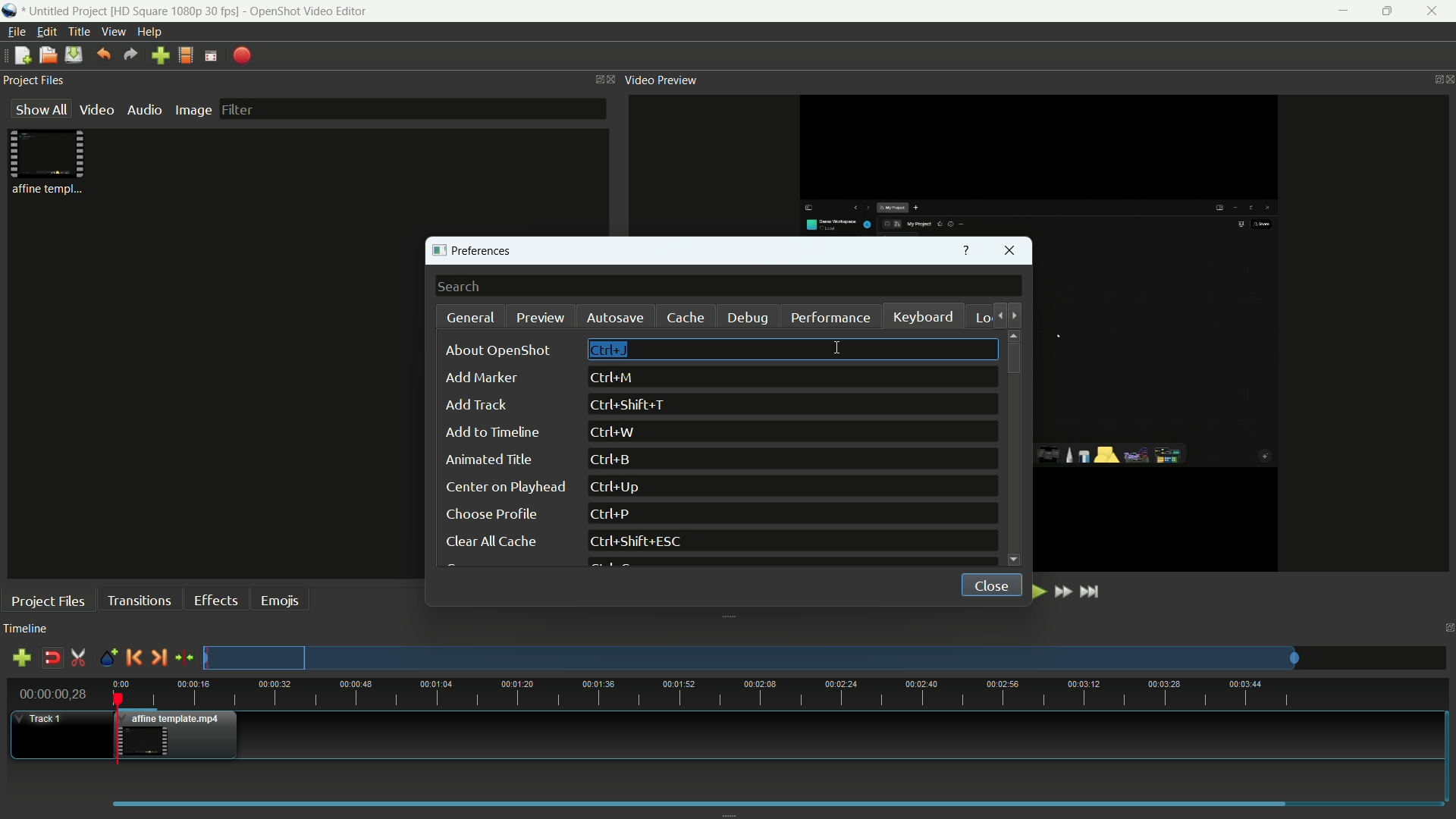  Describe the element at coordinates (38, 110) in the screenshot. I see `show all` at that location.